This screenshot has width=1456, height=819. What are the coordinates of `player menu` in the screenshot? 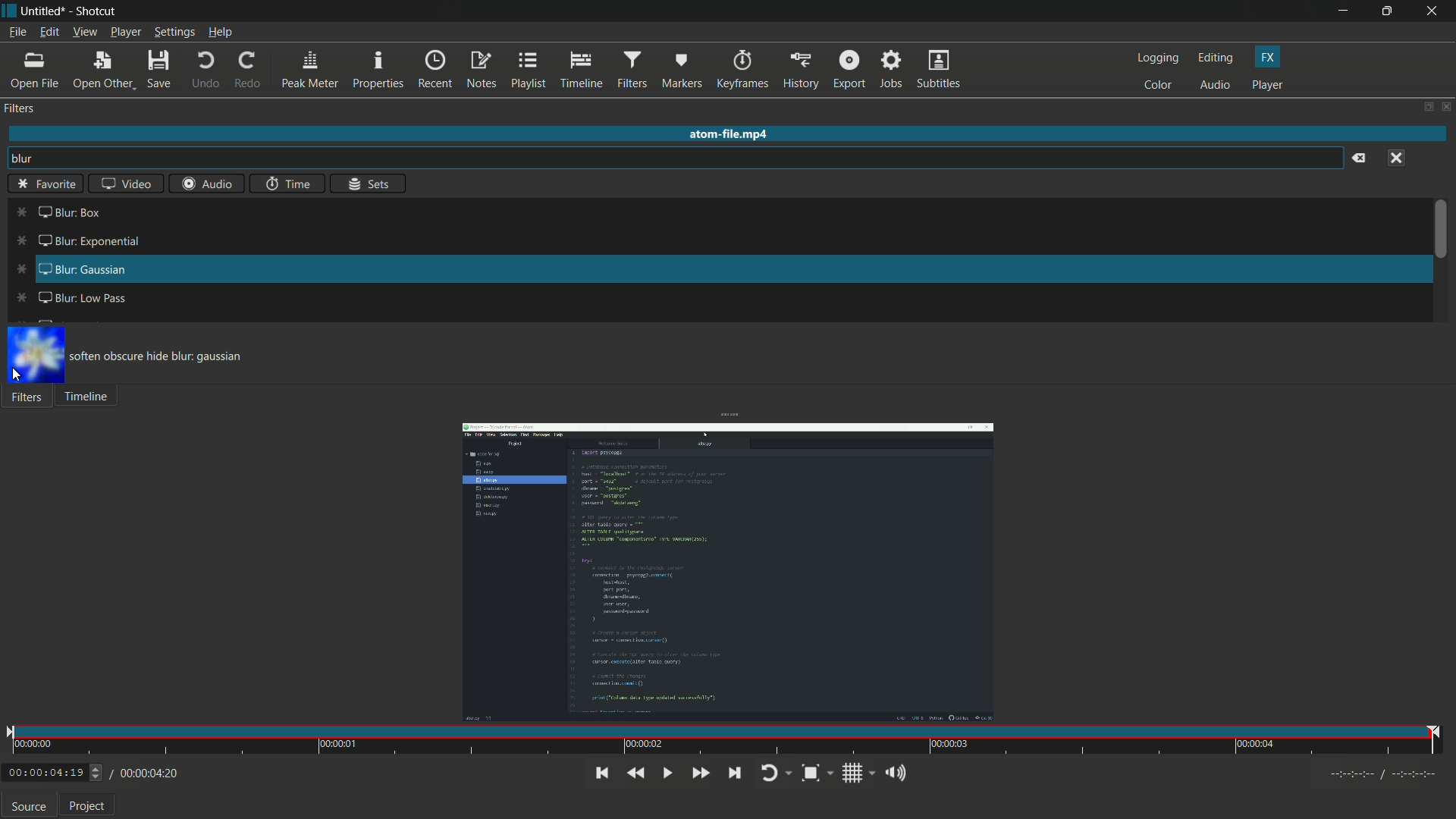 It's located at (127, 33).